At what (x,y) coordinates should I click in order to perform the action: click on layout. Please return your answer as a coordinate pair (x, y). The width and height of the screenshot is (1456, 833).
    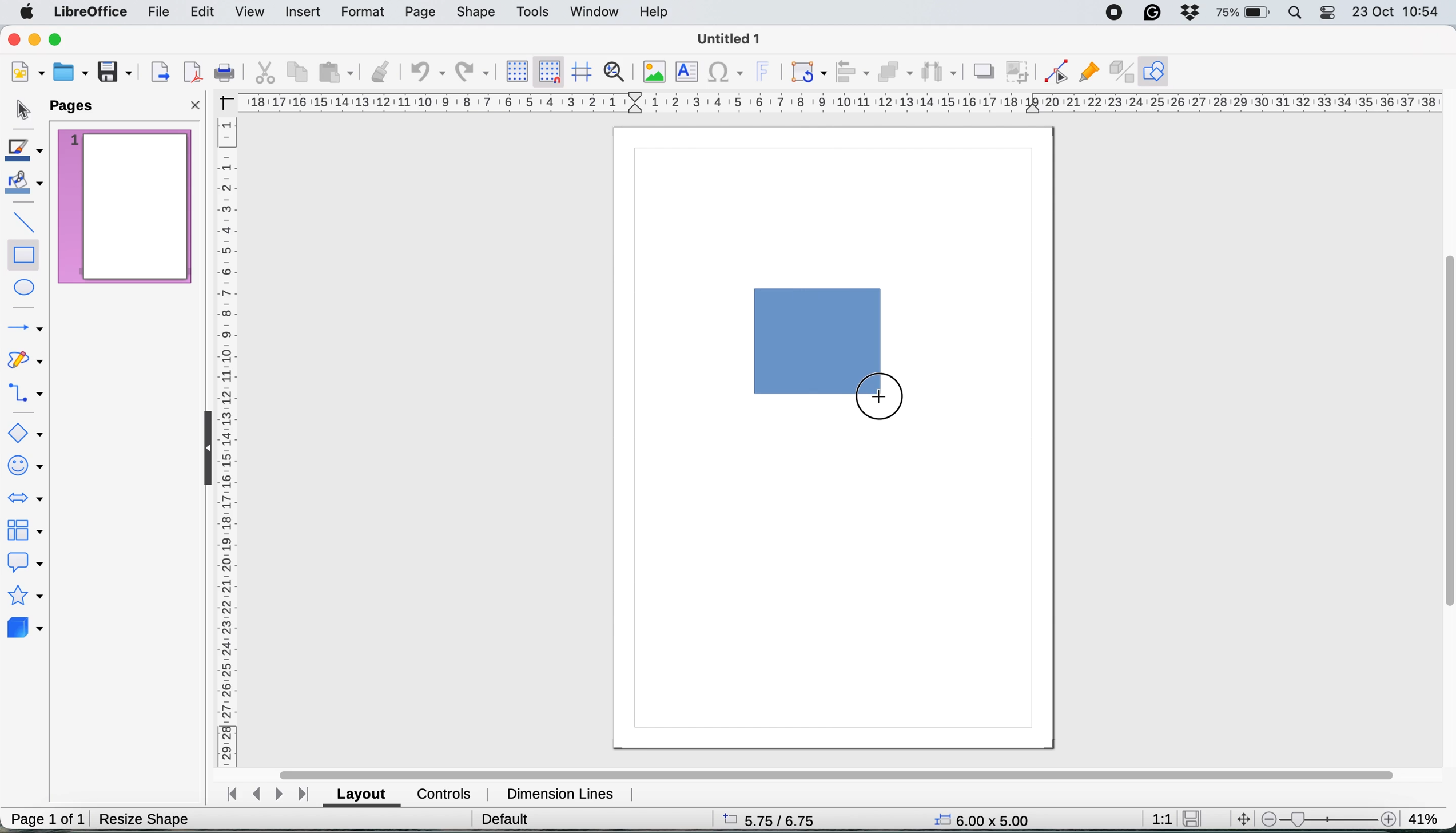
    Looking at the image, I should click on (363, 794).